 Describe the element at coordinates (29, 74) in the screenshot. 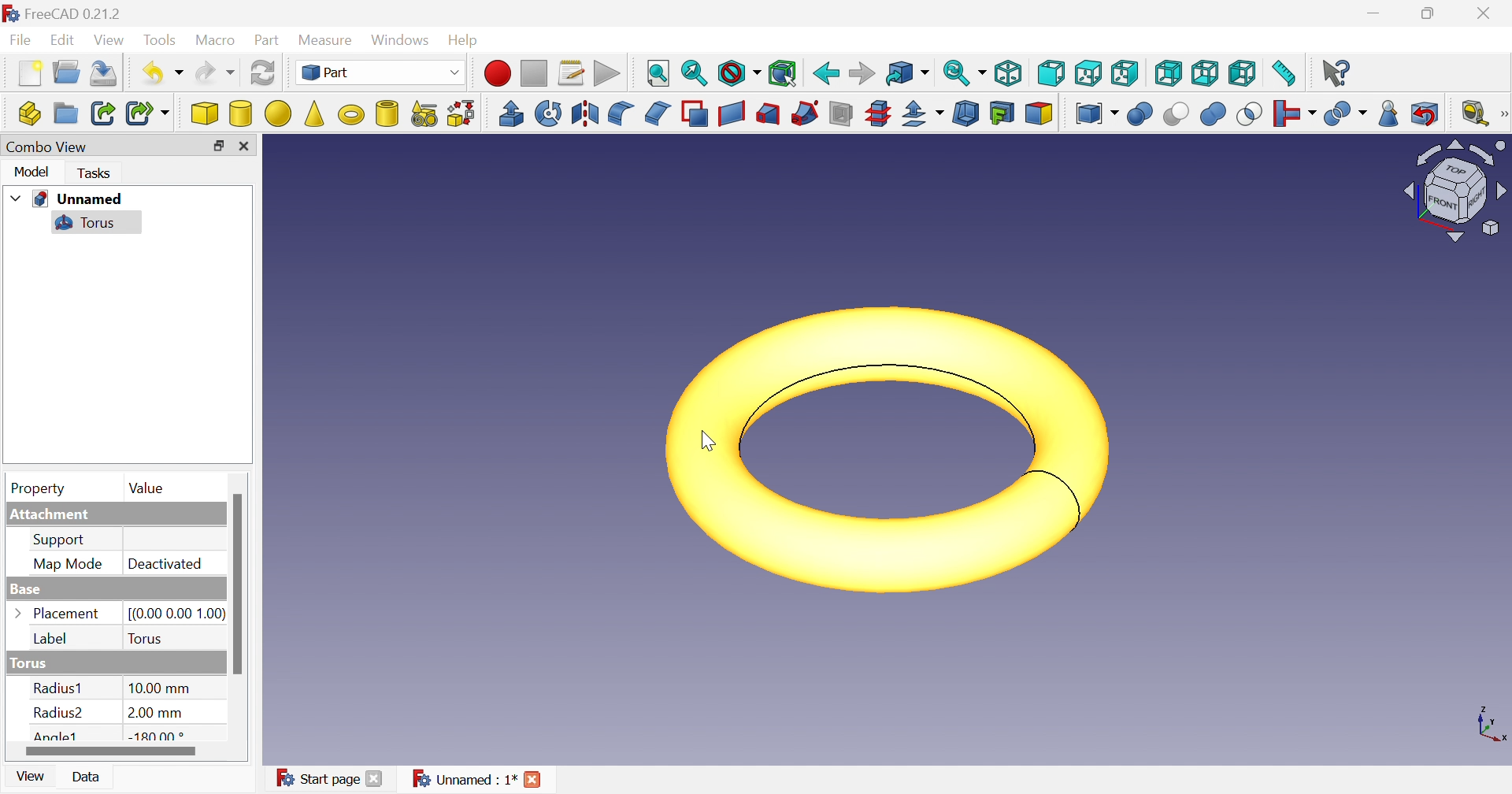

I see `New` at that location.